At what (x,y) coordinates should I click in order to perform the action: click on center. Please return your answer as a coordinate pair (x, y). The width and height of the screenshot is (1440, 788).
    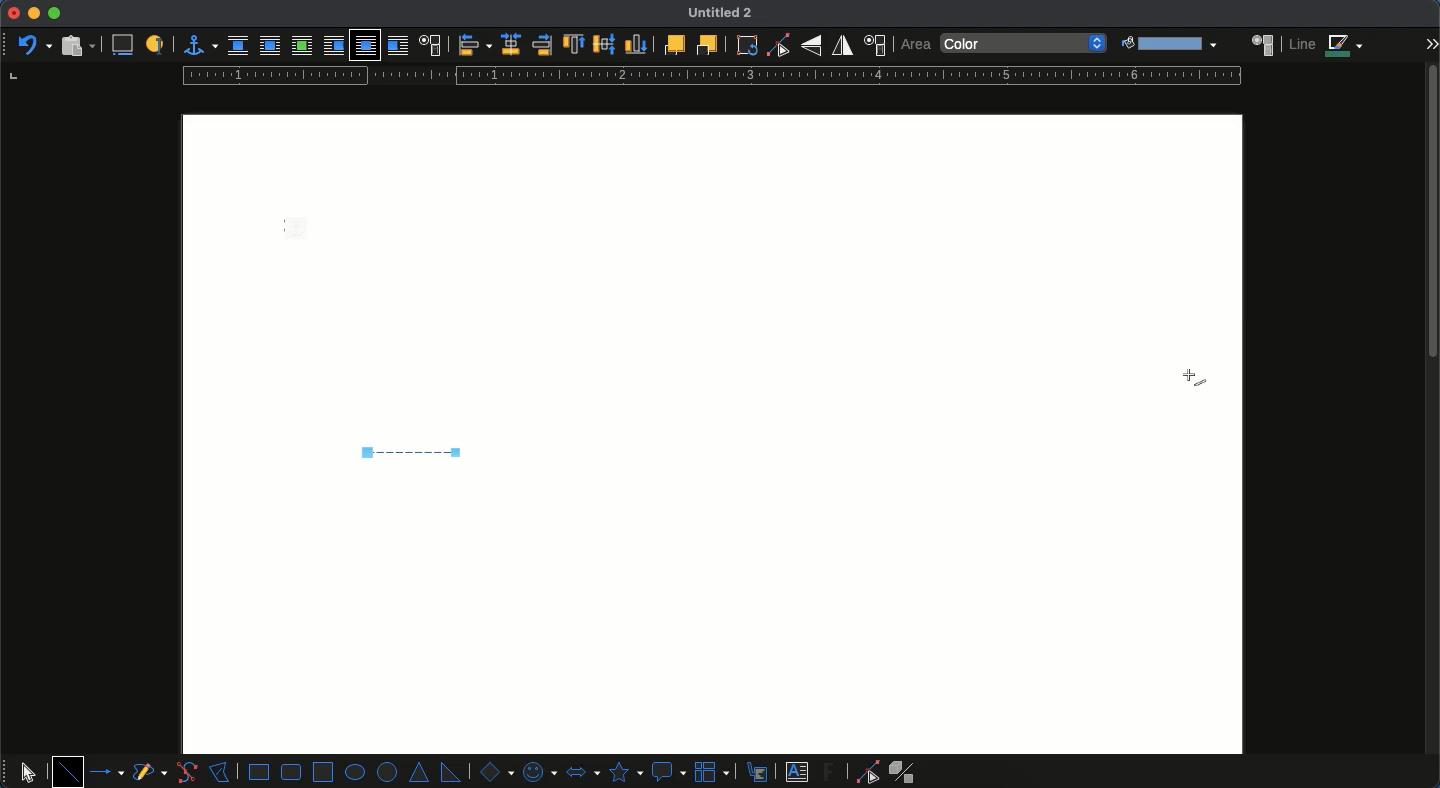
    Looking at the image, I should click on (605, 42).